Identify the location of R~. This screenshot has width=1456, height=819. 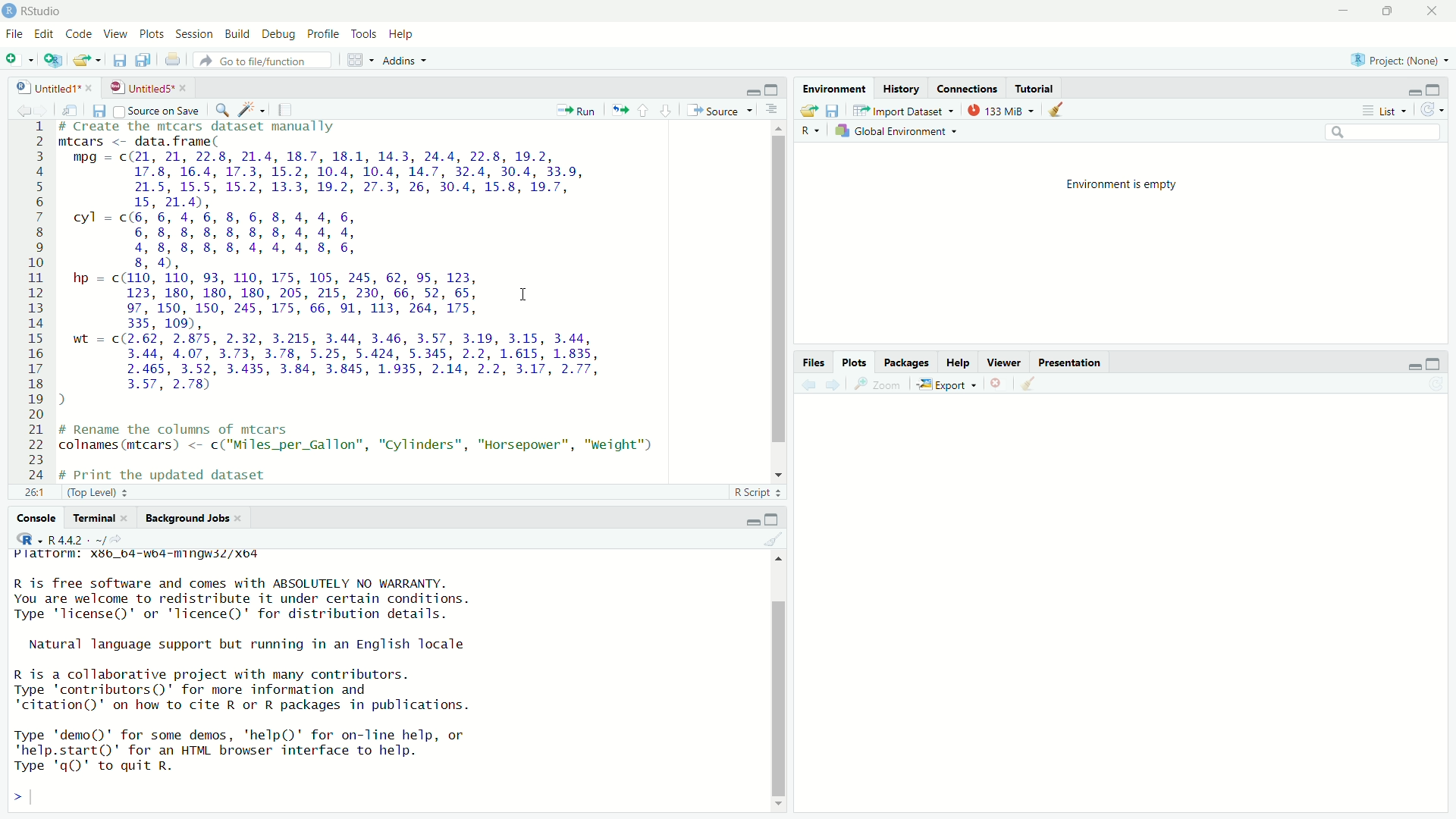
(810, 130).